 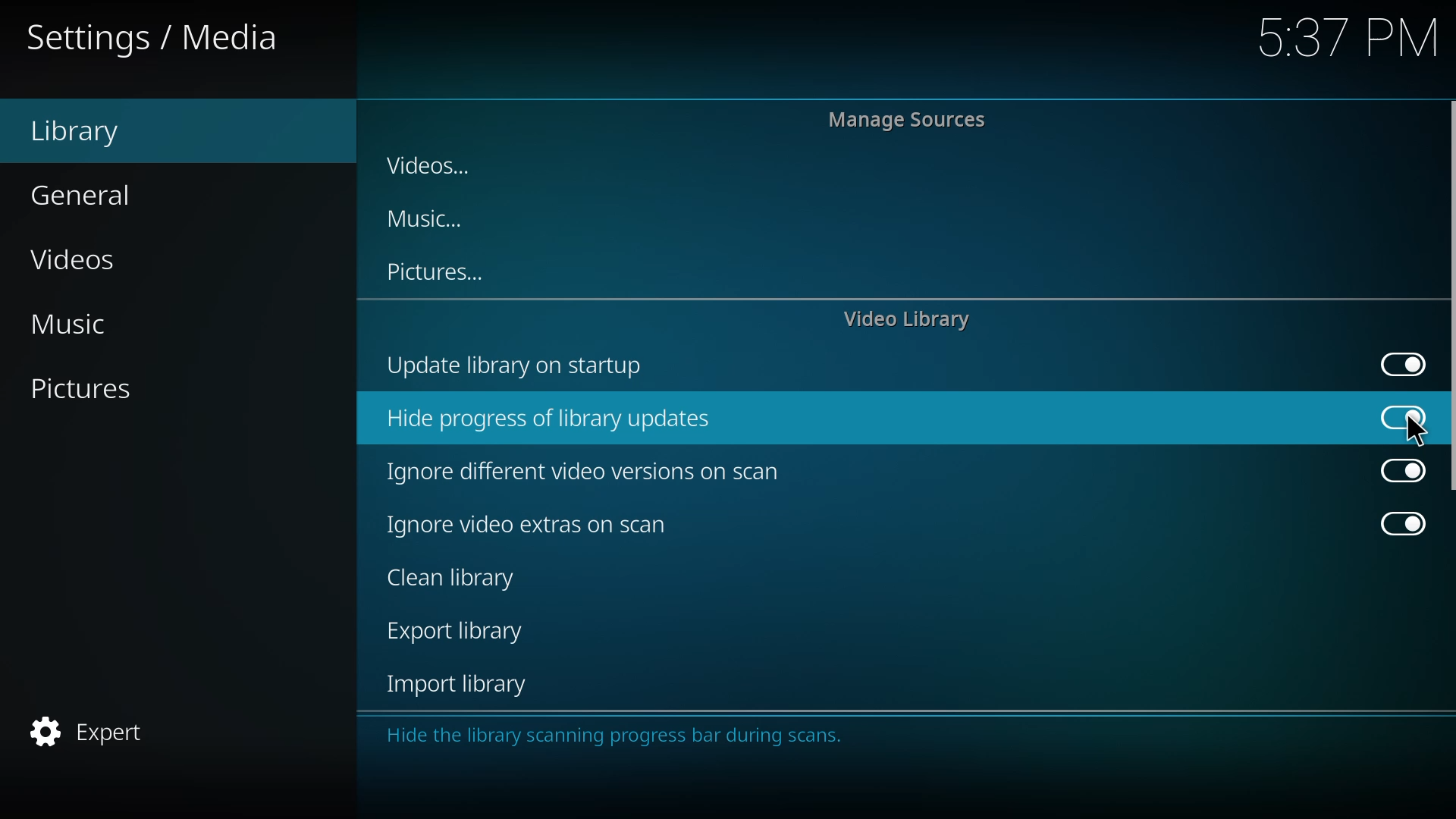 I want to click on library, so click(x=89, y=130).